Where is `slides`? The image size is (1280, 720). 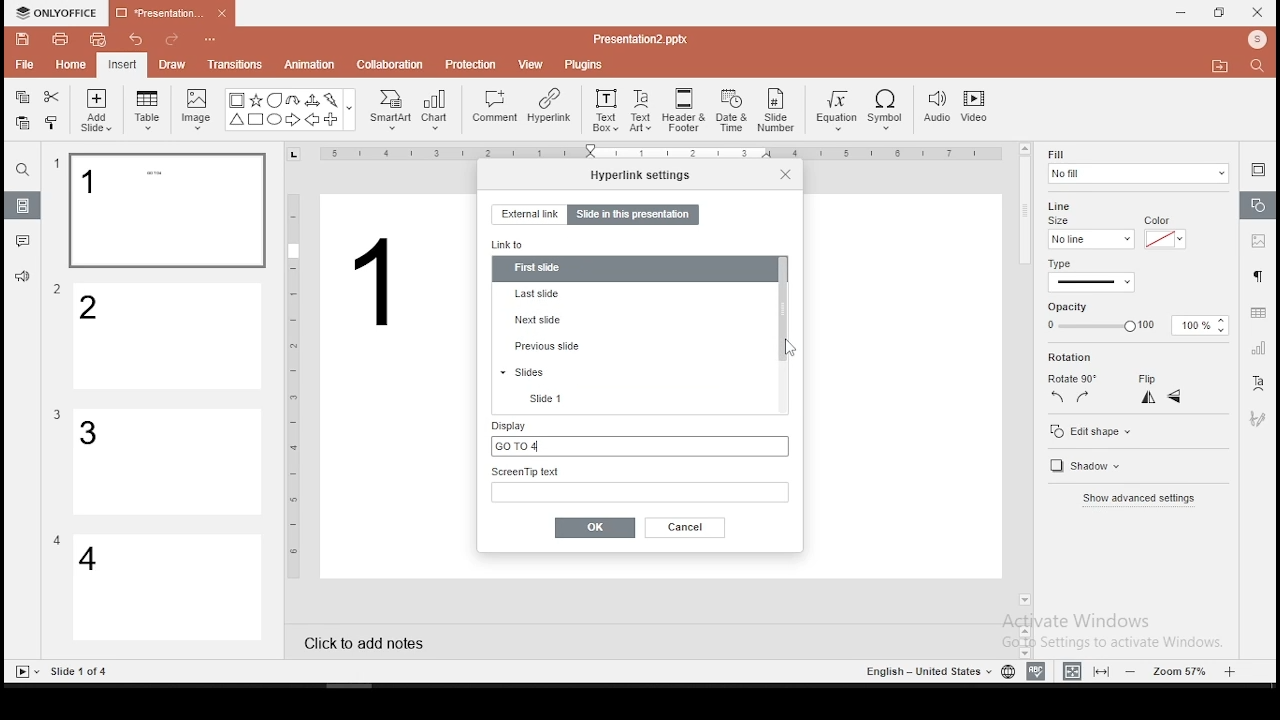 slides is located at coordinates (24, 206).